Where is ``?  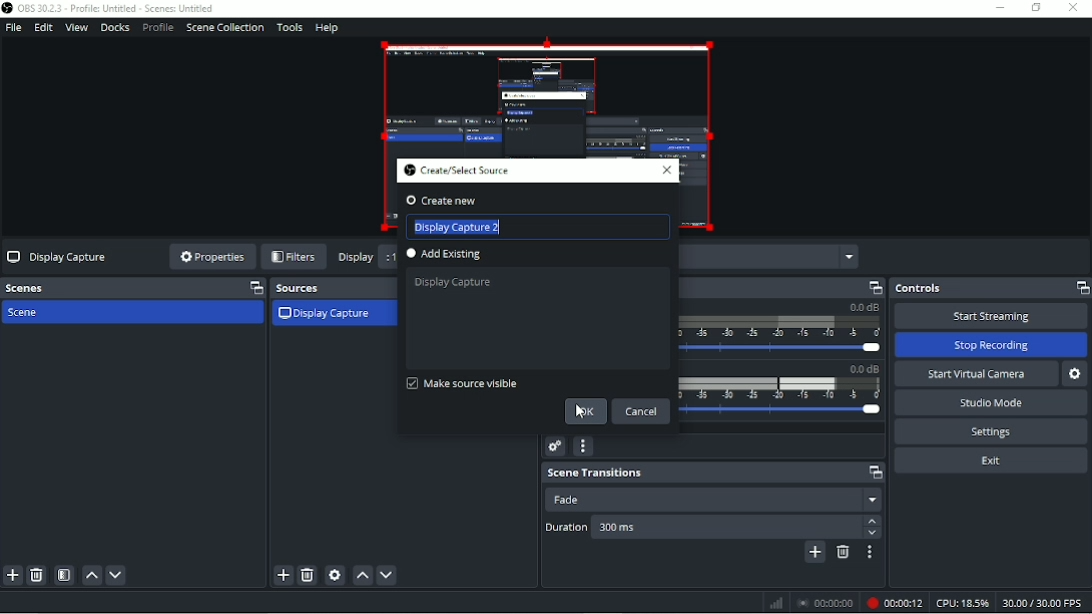
 is located at coordinates (449, 202).